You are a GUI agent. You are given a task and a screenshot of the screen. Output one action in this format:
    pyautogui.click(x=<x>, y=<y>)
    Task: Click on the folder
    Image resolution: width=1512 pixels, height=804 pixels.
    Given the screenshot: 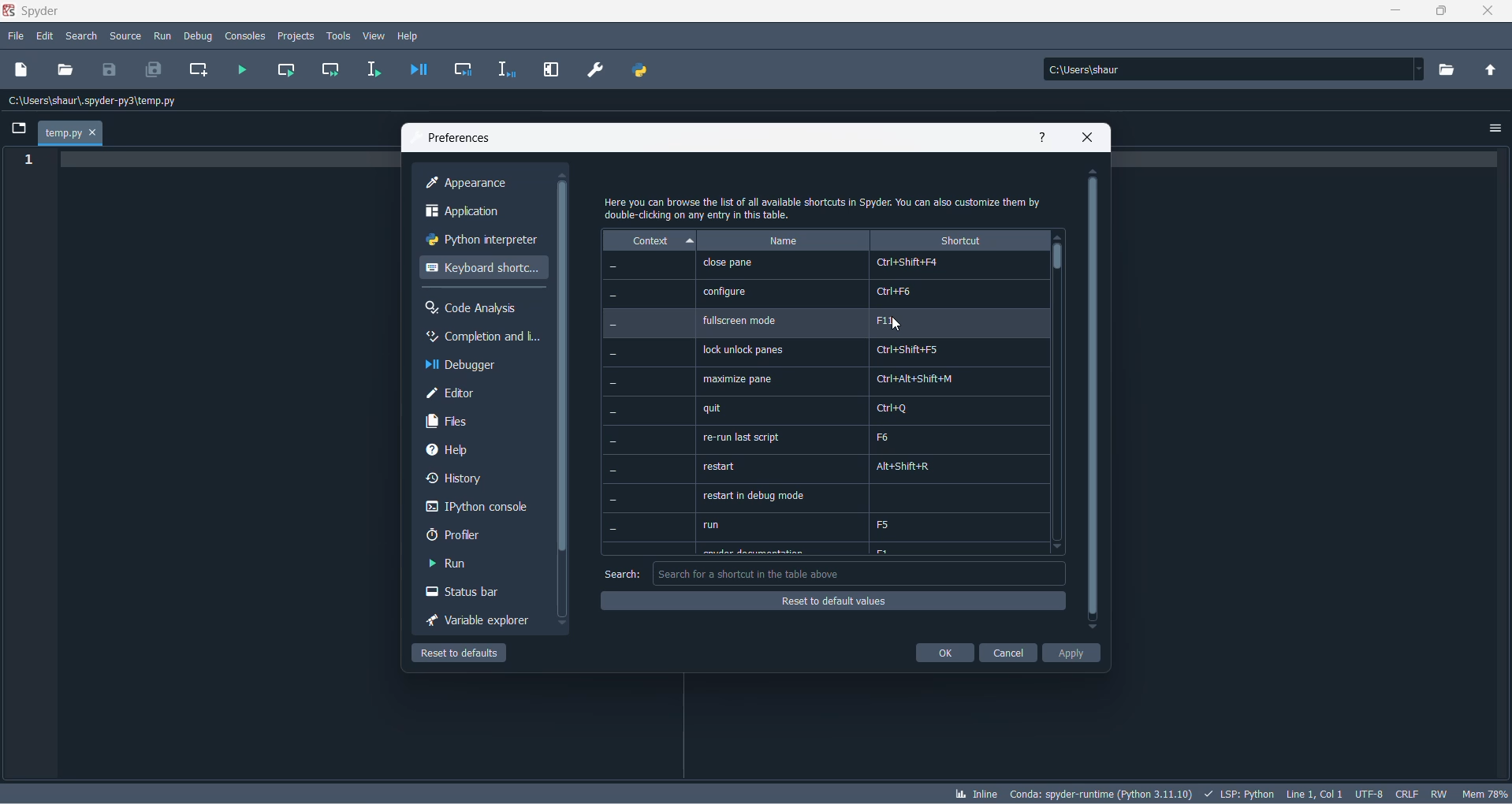 What is the action you would take?
    pyautogui.click(x=17, y=130)
    